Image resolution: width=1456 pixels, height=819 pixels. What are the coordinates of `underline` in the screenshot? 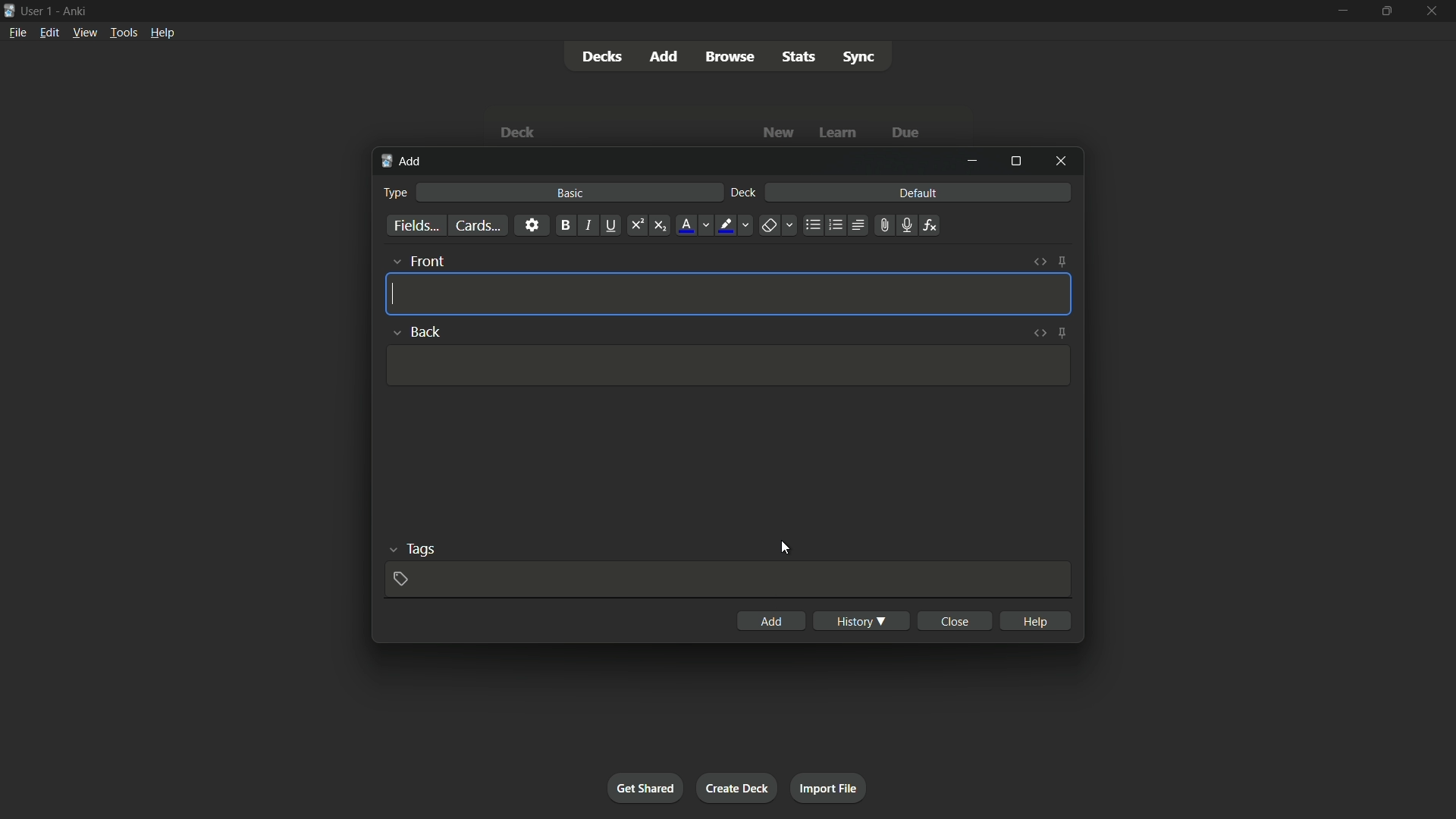 It's located at (610, 224).